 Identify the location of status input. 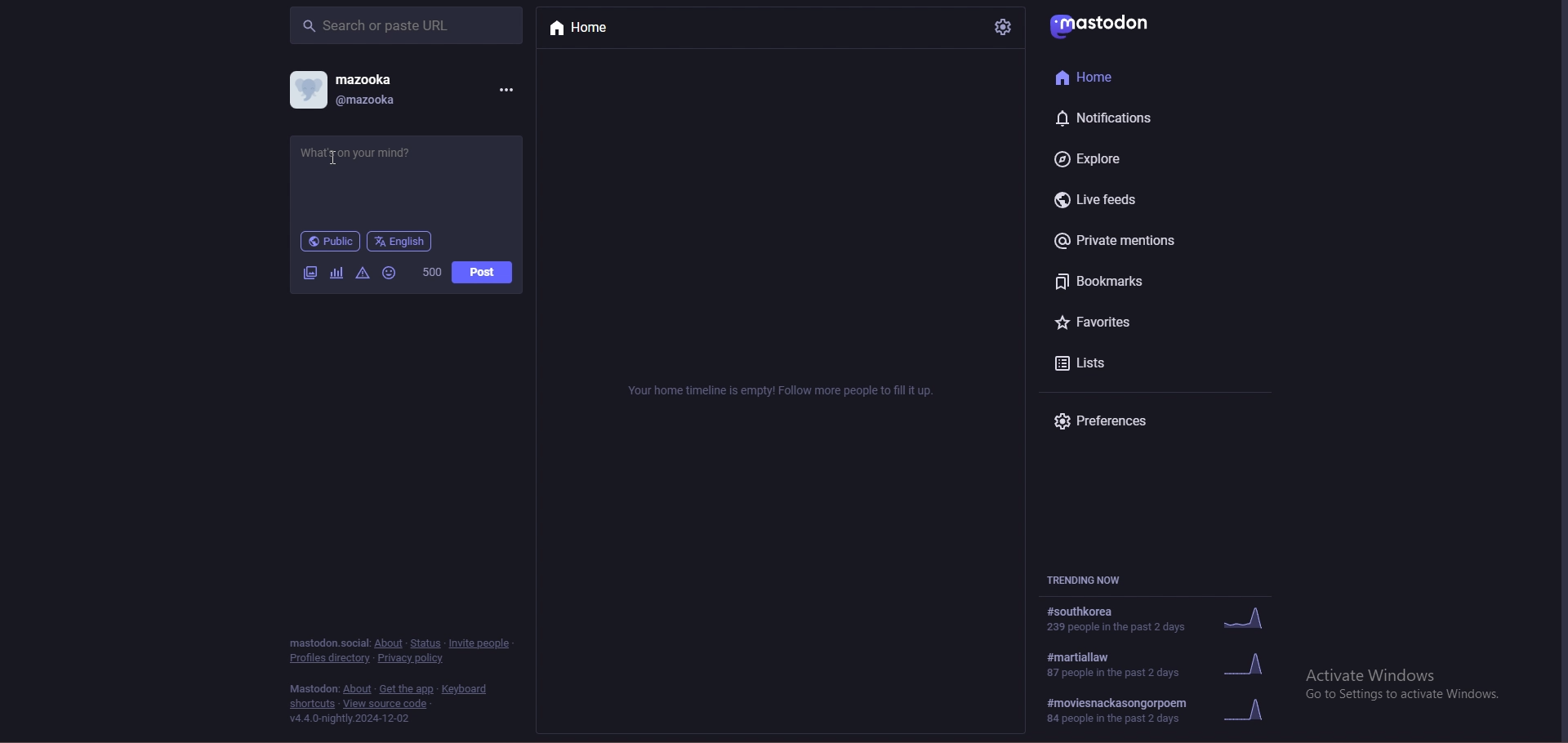
(379, 153).